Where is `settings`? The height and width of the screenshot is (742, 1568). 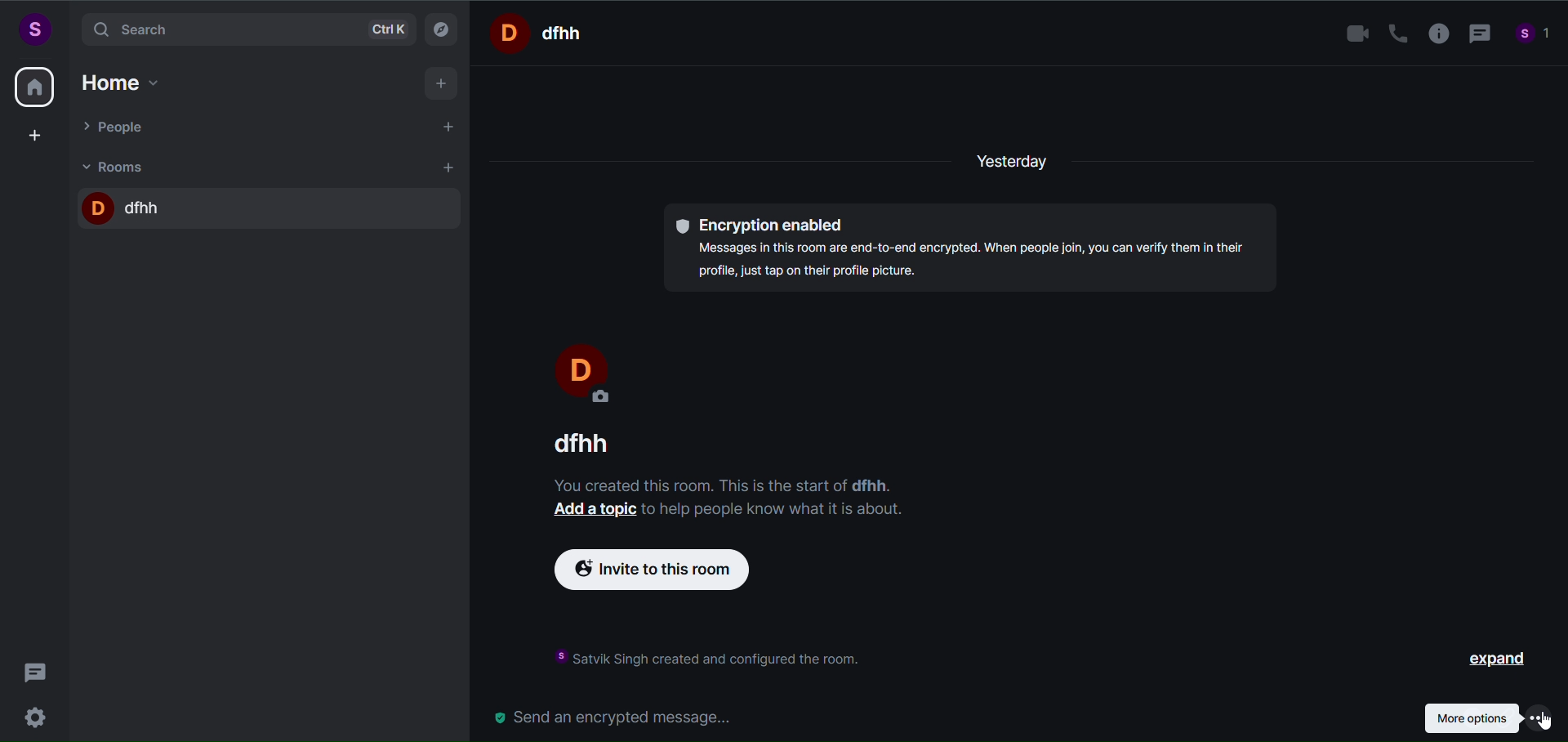 settings is located at coordinates (39, 715).